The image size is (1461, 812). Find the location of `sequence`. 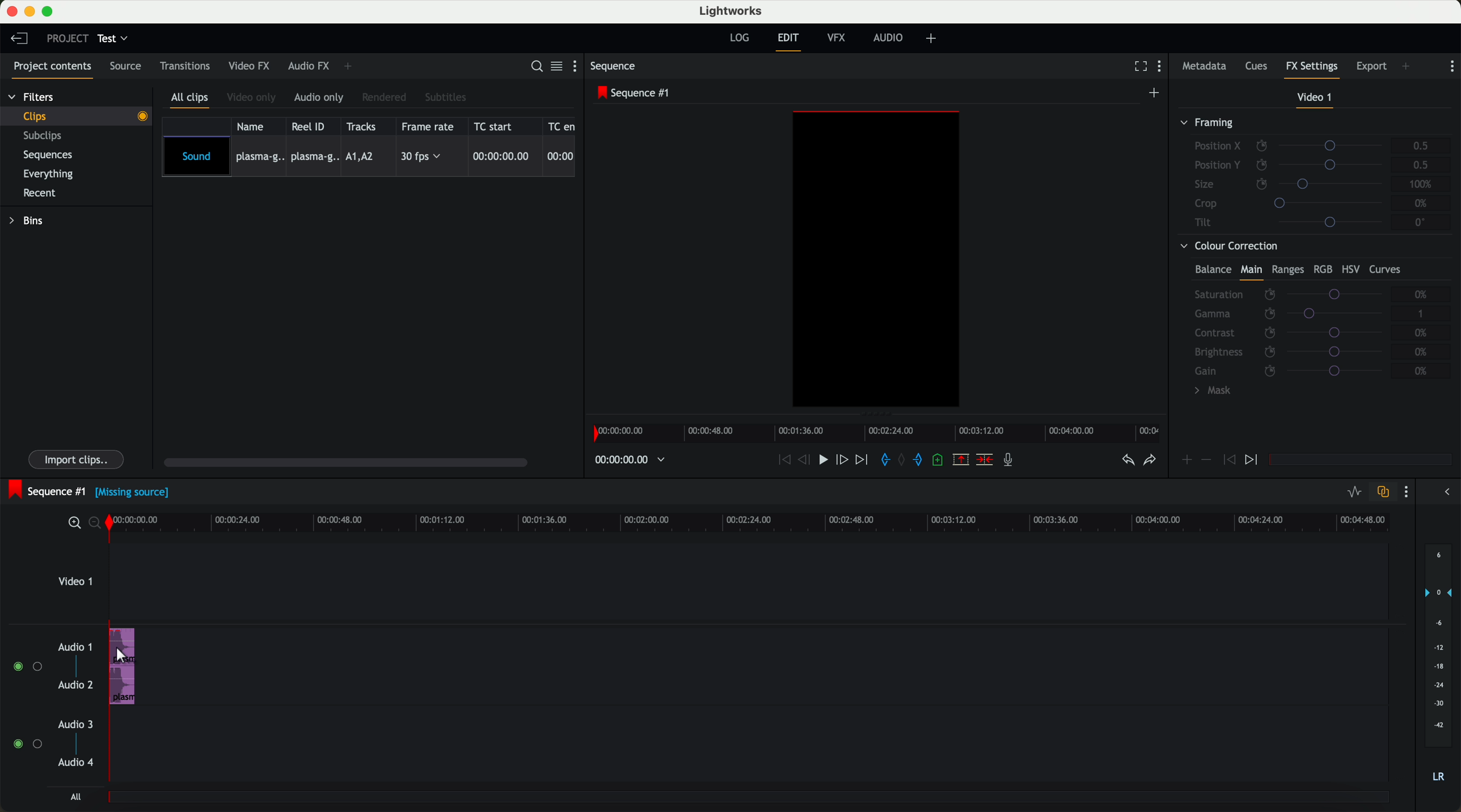

sequence is located at coordinates (617, 67).